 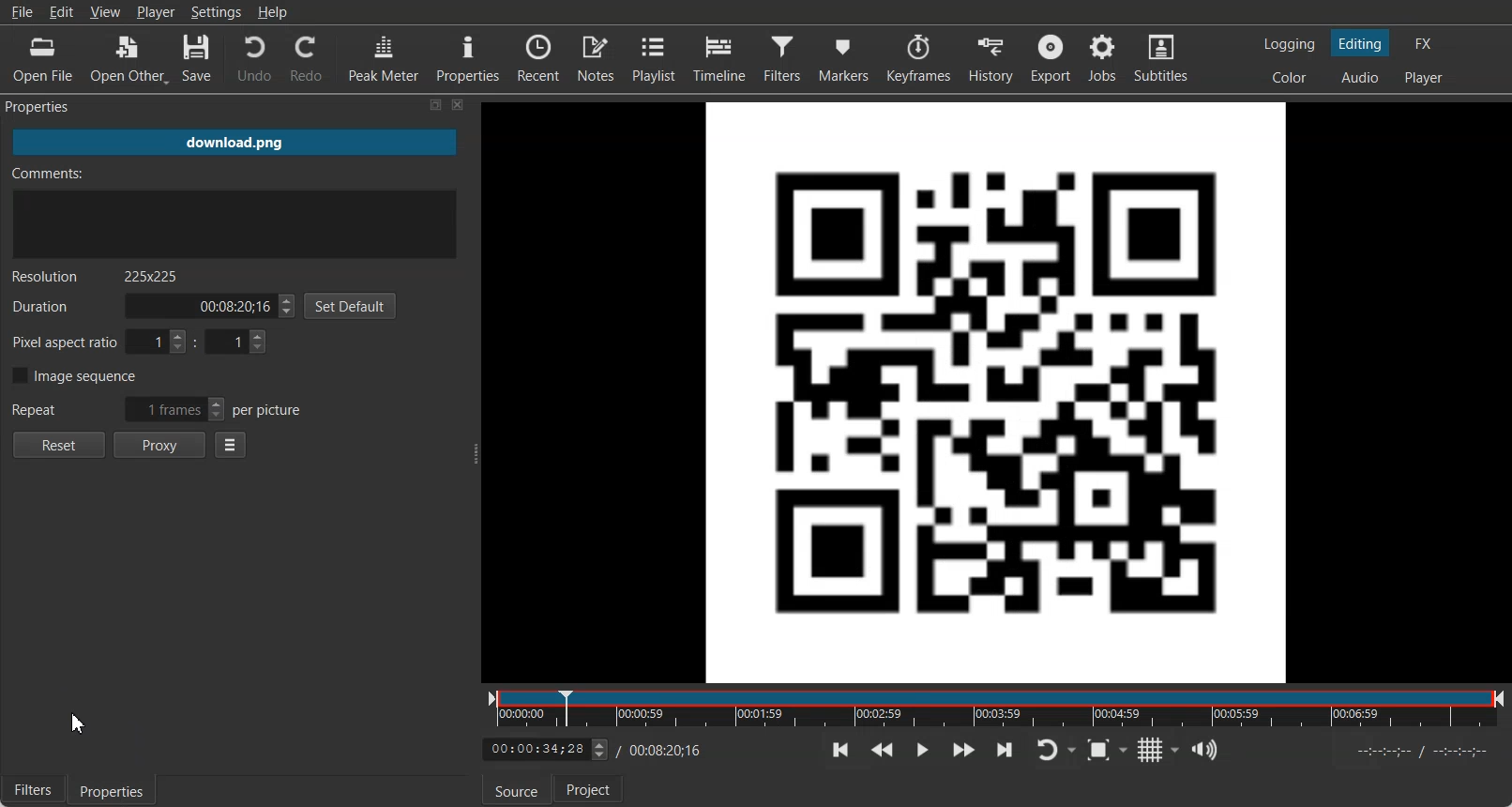 I want to click on Toggle player looping, so click(x=1055, y=750).